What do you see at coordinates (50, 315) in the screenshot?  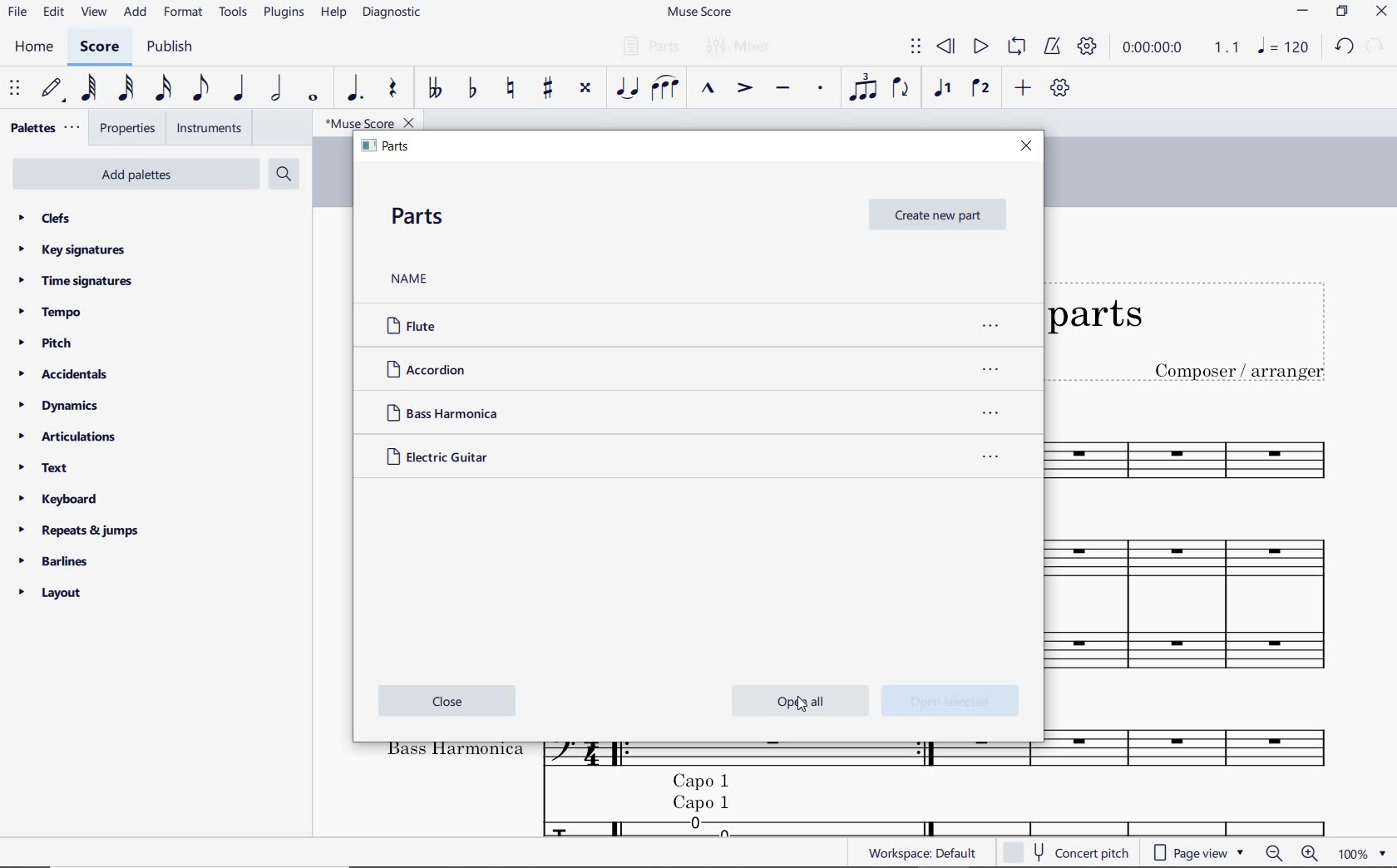 I see `tempo` at bounding box center [50, 315].